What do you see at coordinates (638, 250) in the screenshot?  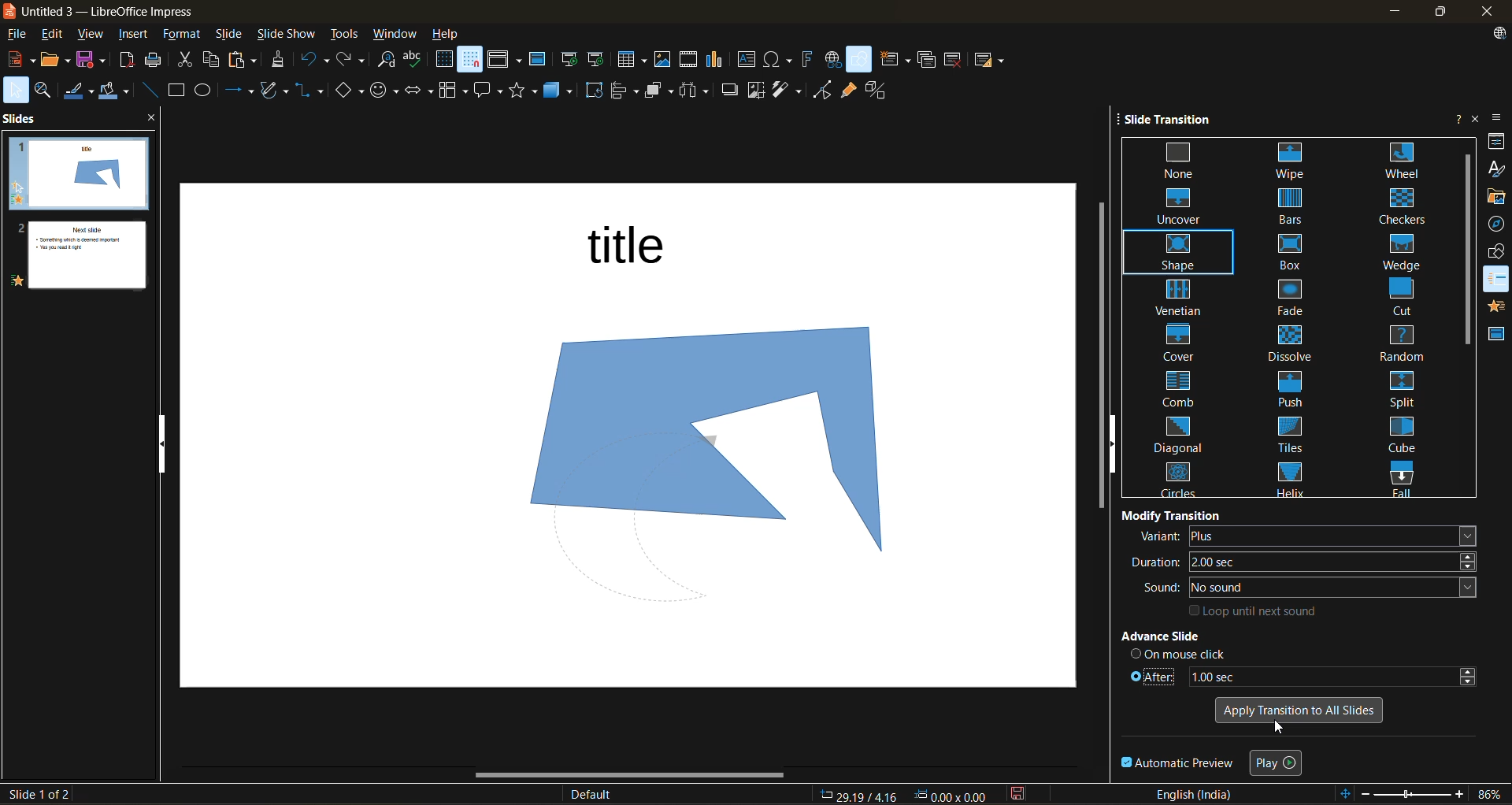 I see `title` at bounding box center [638, 250].